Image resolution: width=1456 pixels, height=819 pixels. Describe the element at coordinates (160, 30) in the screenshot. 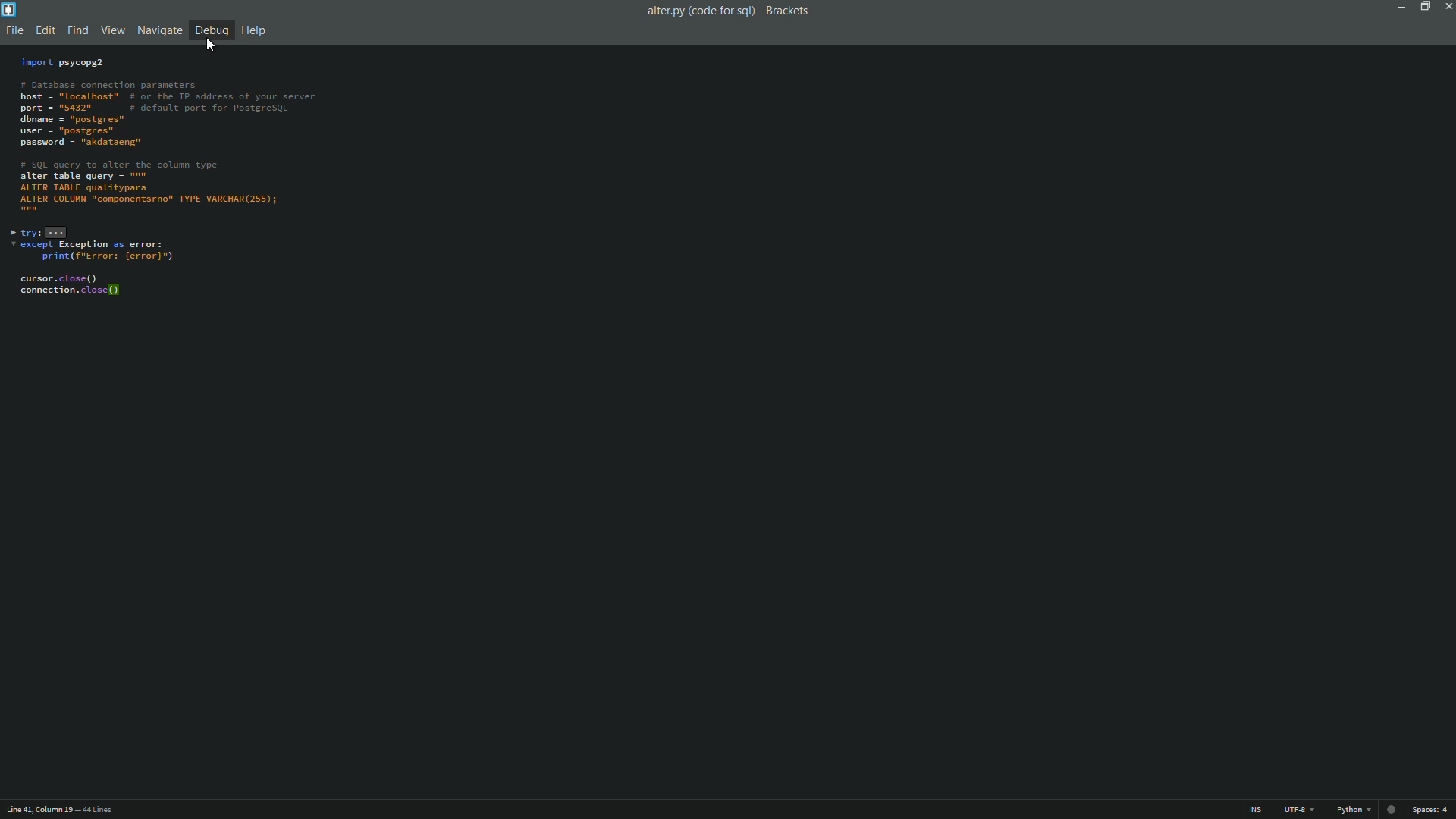

I see `Navigate menu` at that location.